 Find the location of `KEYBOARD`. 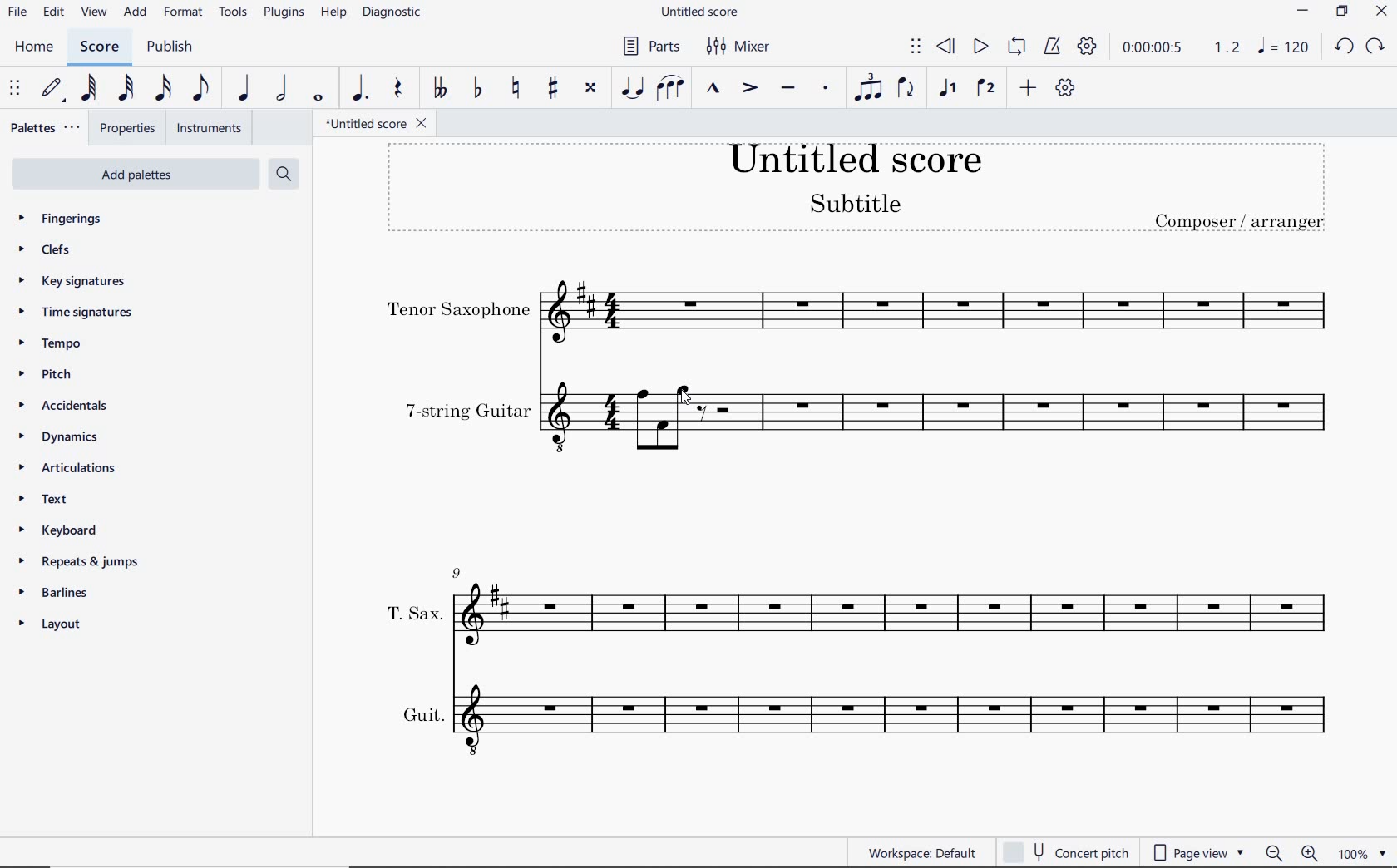

KEYBOARD is located at coordinates (79, 530).